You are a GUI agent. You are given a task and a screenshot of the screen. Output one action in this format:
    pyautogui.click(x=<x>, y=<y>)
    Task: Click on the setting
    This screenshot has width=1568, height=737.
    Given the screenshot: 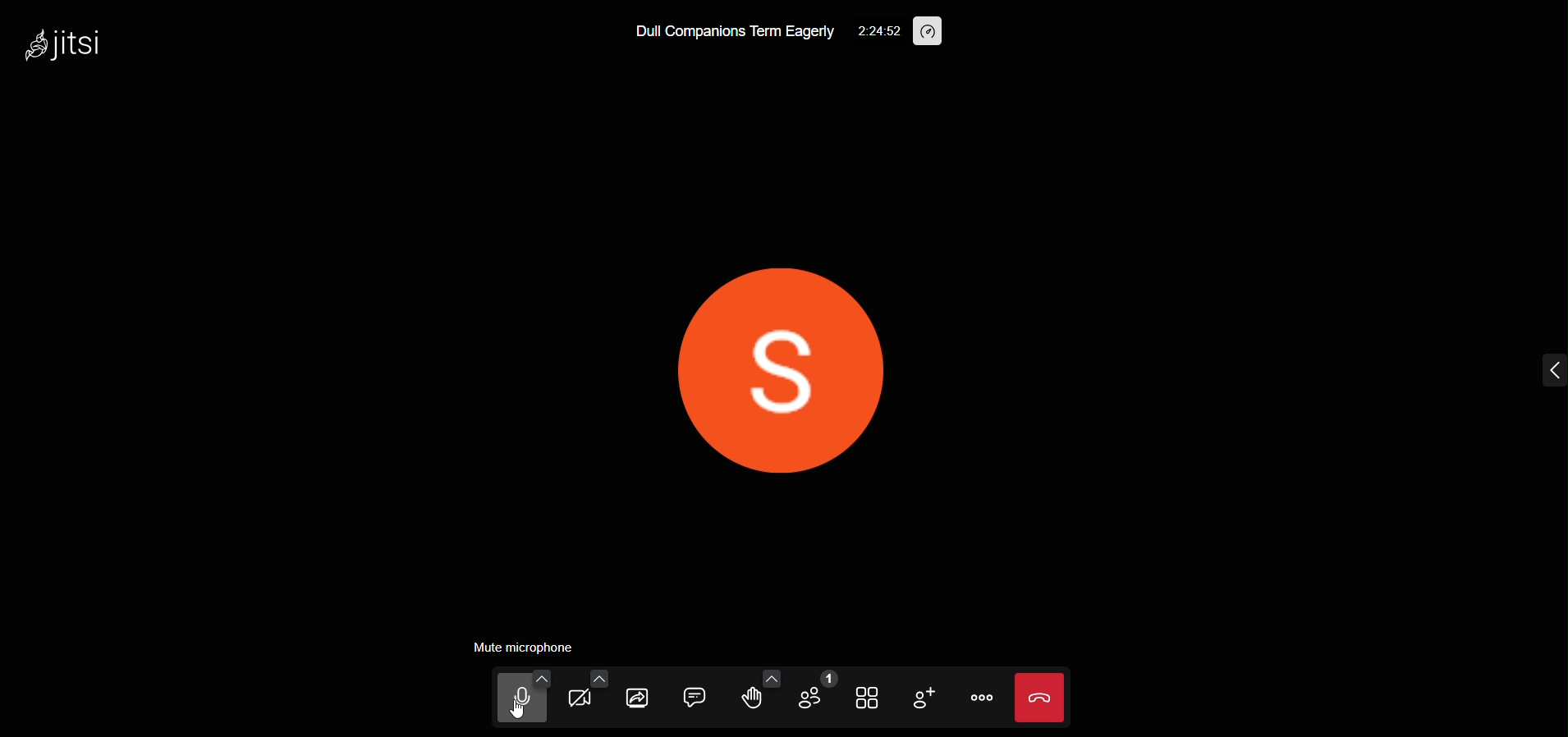 What is the action you would take?
    pyautogui.click(x=874, y=31)
    